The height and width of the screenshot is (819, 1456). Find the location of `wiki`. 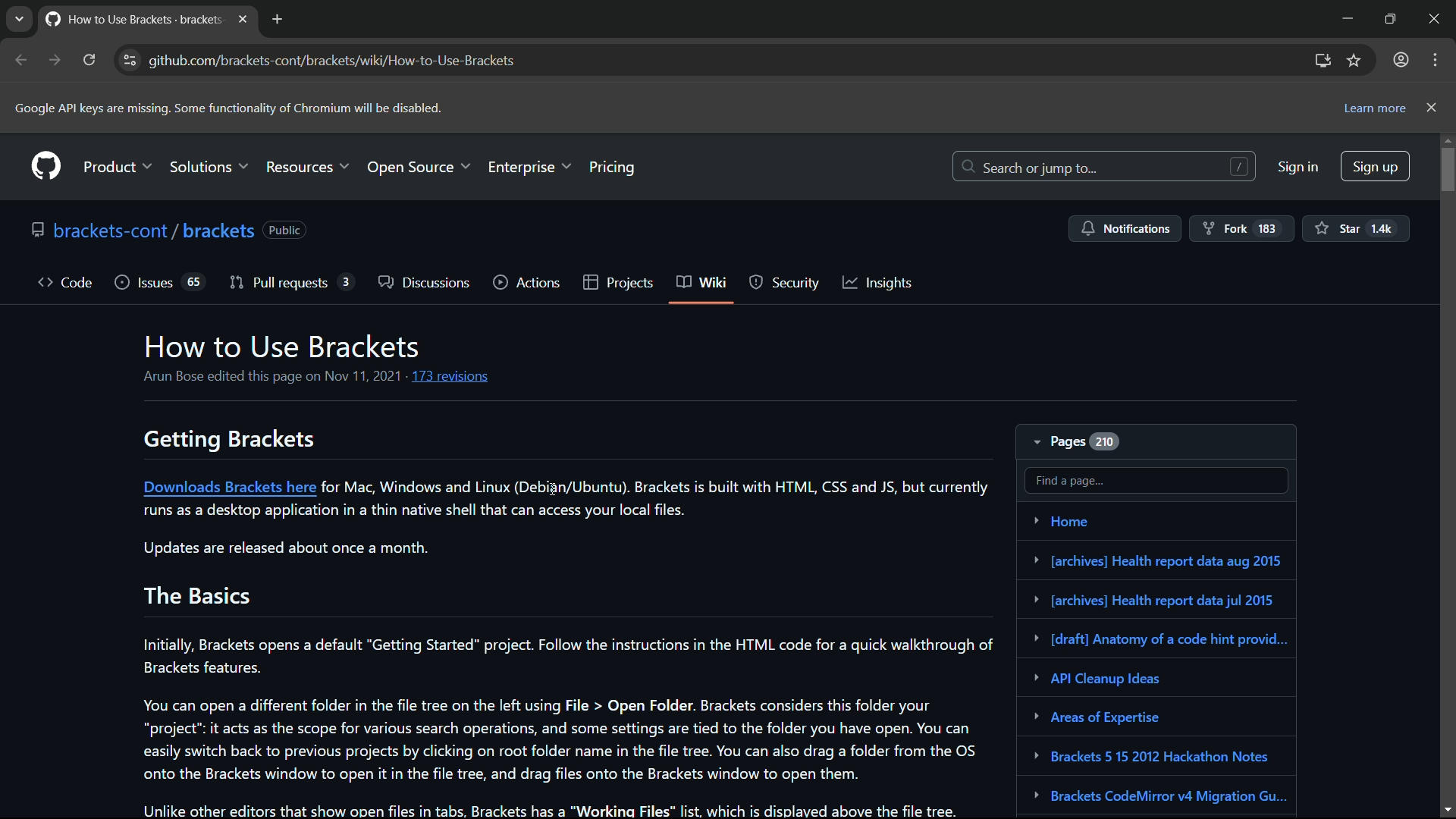

wiki is located at coordinates (699, 282).